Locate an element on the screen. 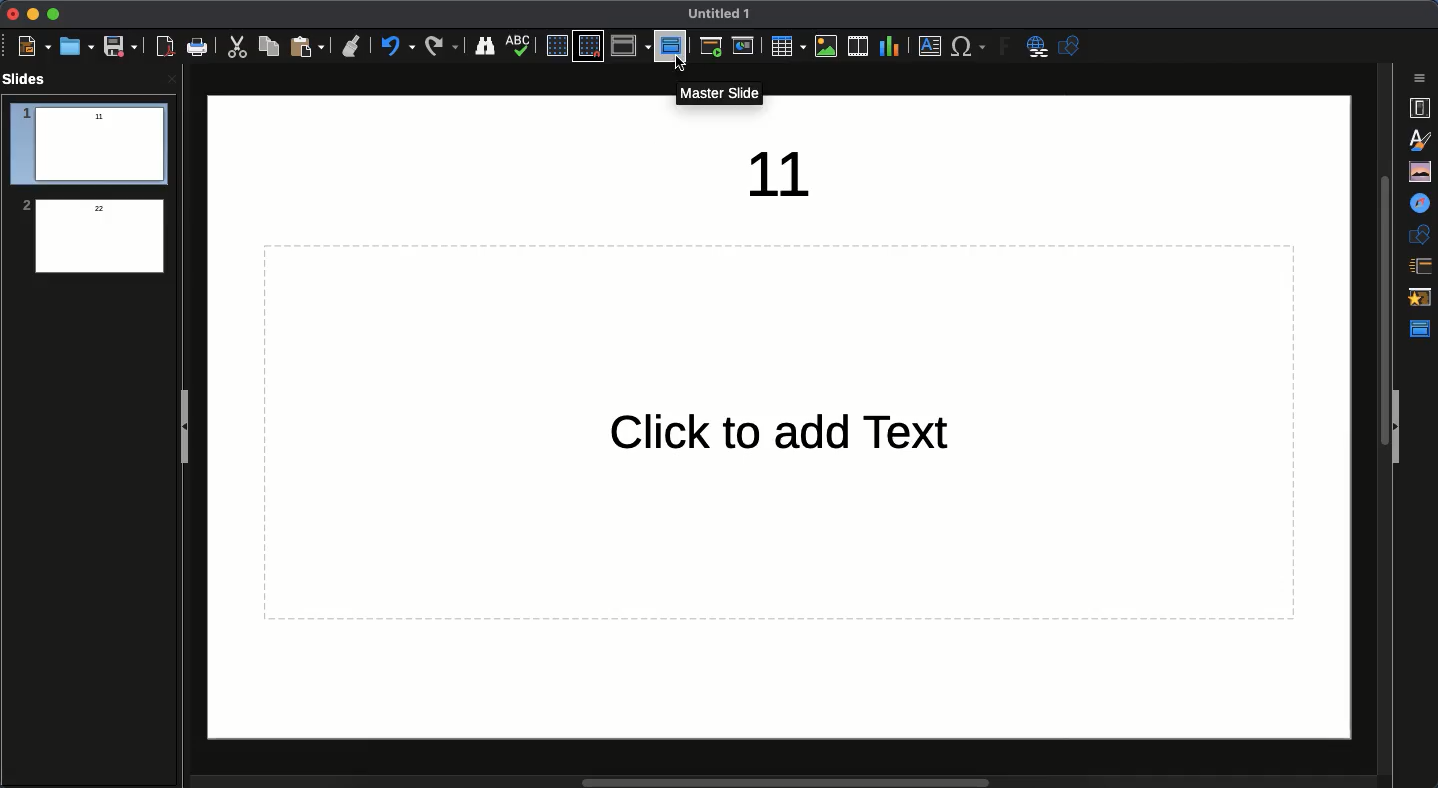  Start from first slide is located at coordinates (713, 49).